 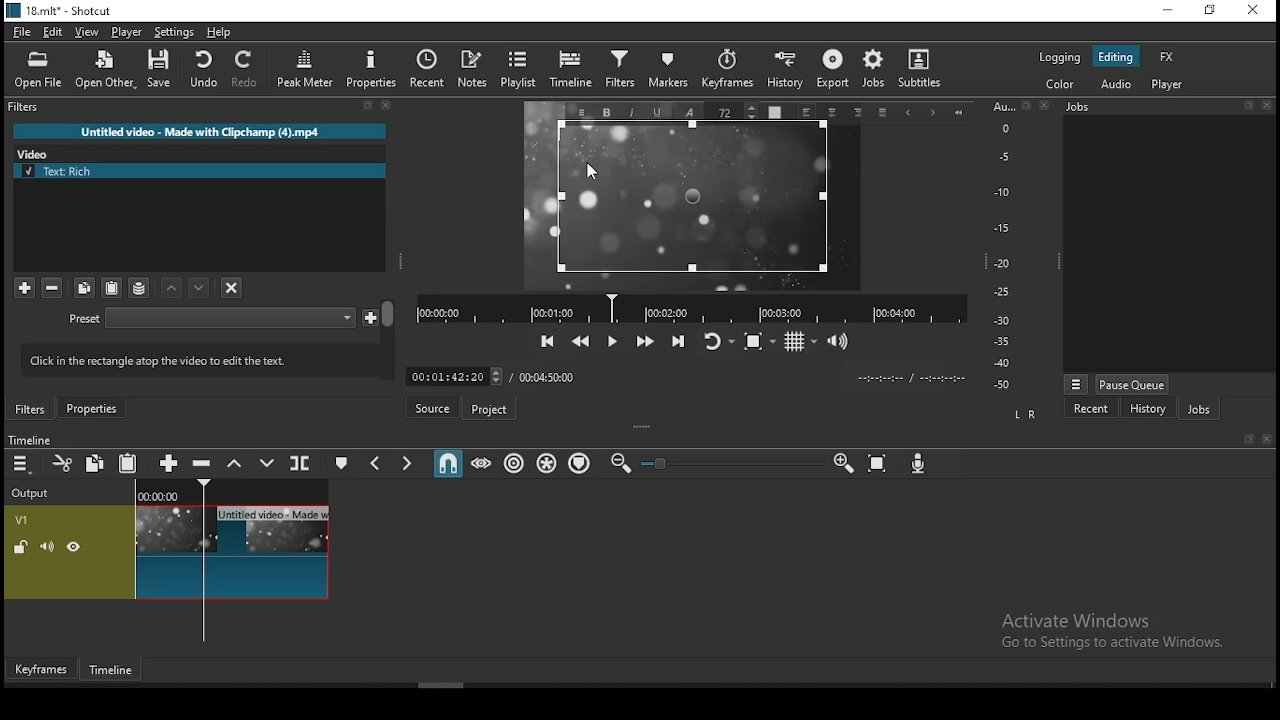 What do you see at coordinates (1009, 246) in the screenshot?
I see `Audio Level` at bounding box center [1009, 246].